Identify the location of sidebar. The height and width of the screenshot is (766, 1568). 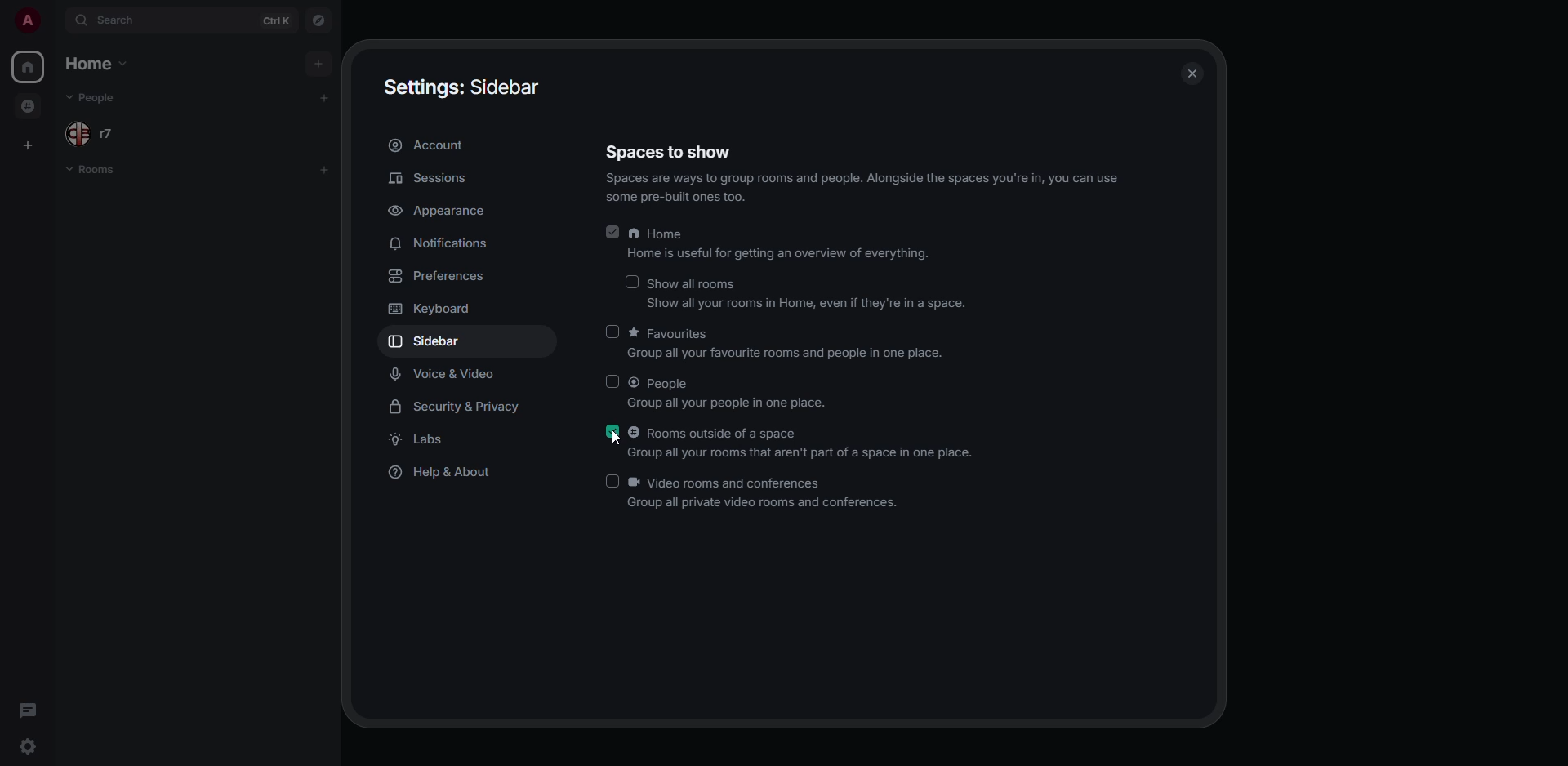
(433, 339).